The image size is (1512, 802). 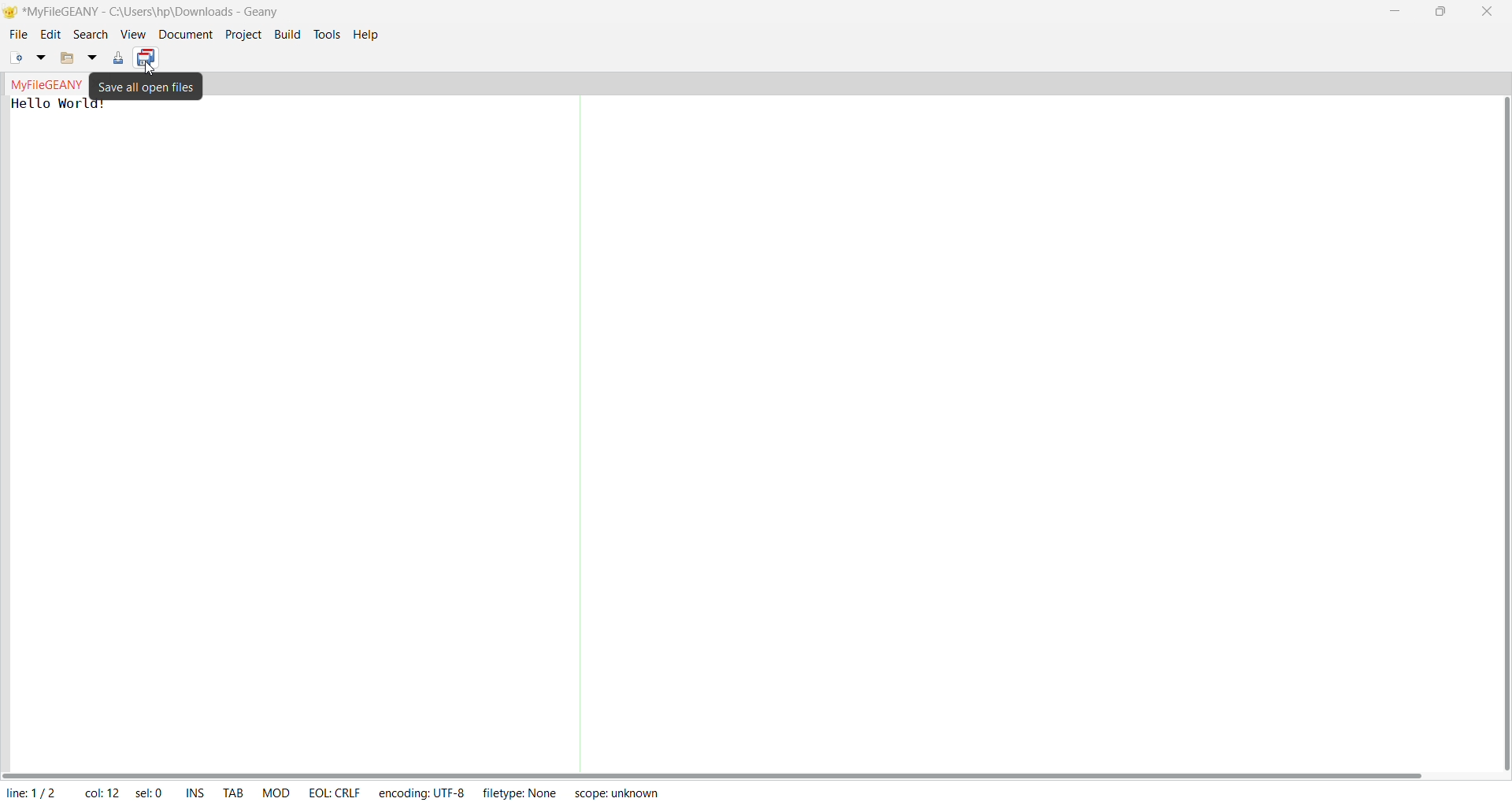 I want to click on COL: 12, so click(x=98, y=791).